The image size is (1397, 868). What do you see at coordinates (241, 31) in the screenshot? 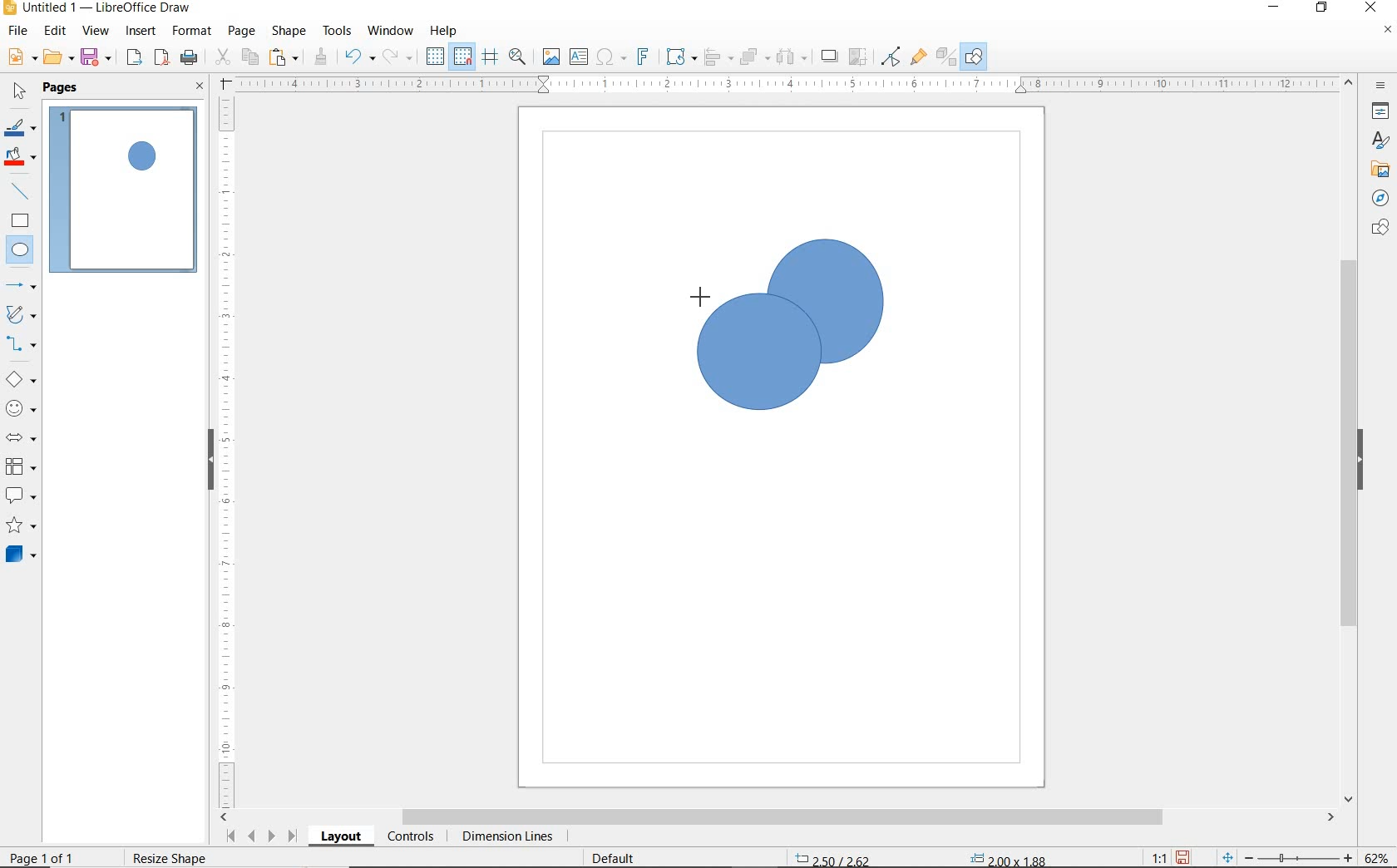
I see `PAGE` at bounding box center [241, 31].